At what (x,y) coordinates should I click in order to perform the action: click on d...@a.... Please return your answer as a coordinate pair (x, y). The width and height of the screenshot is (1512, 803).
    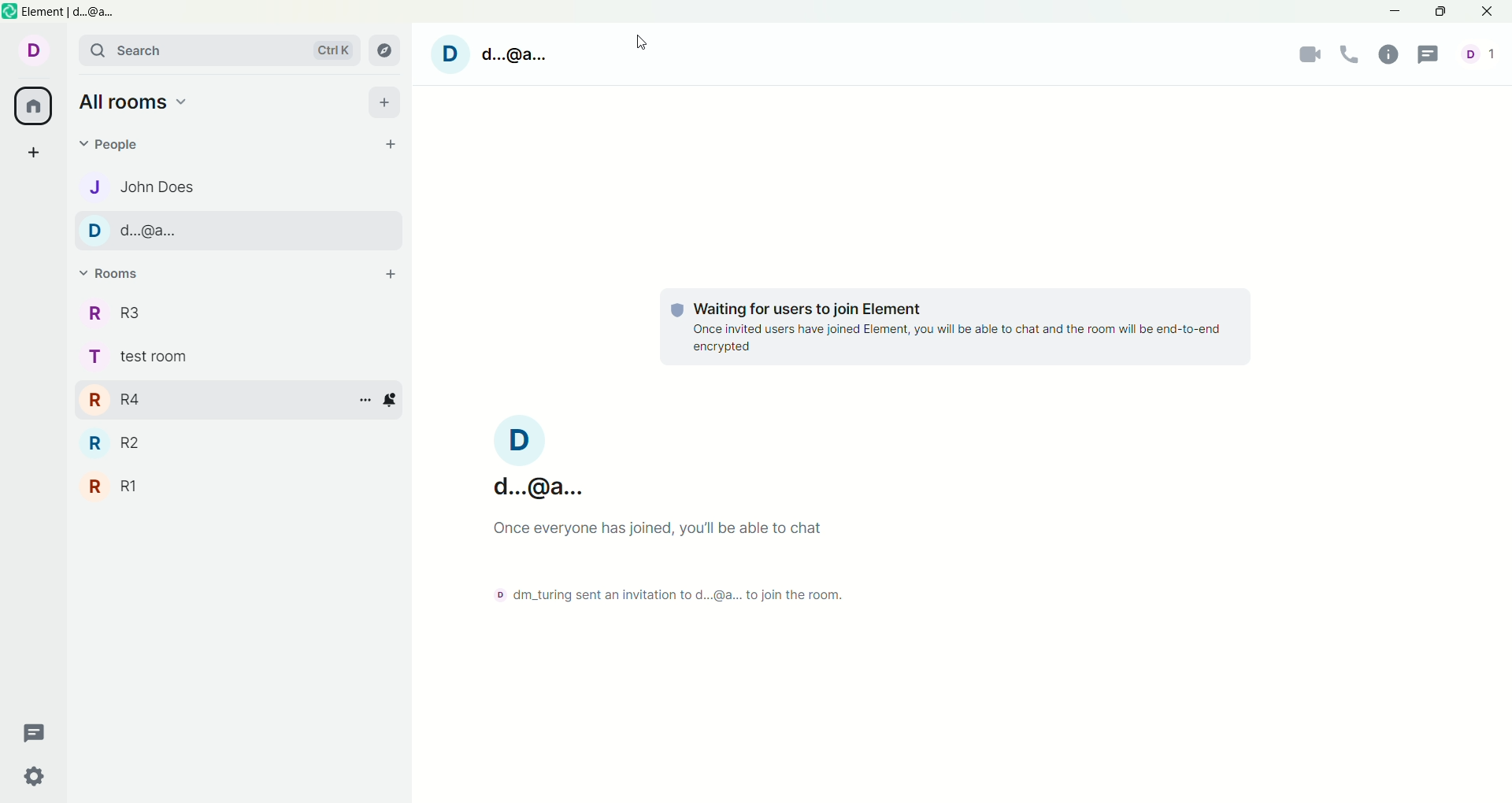
    Looking at the image, I should click on (539, 487).